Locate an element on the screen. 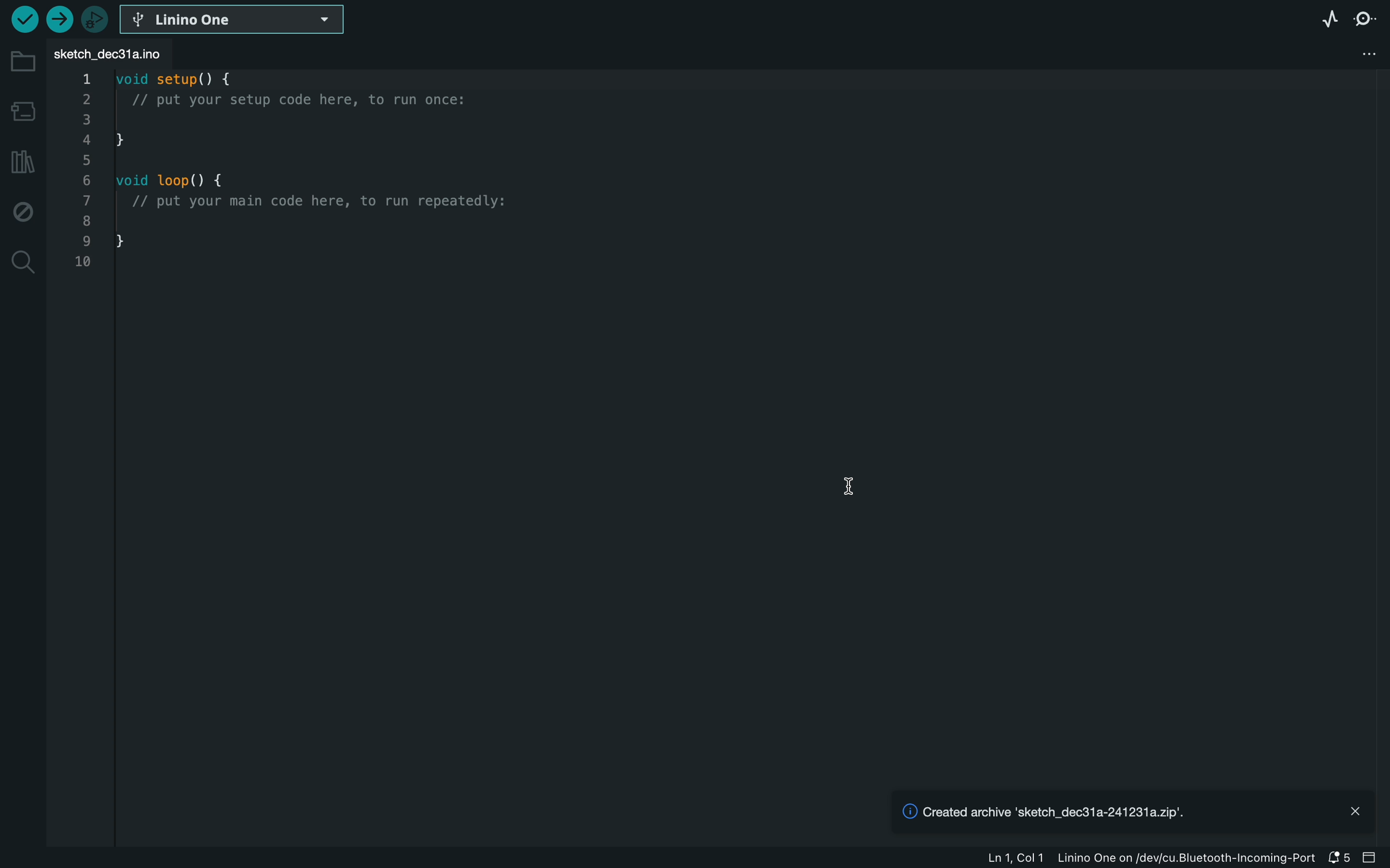 The image size is (1390, 868). library manager is located at coordinates (23, 161).